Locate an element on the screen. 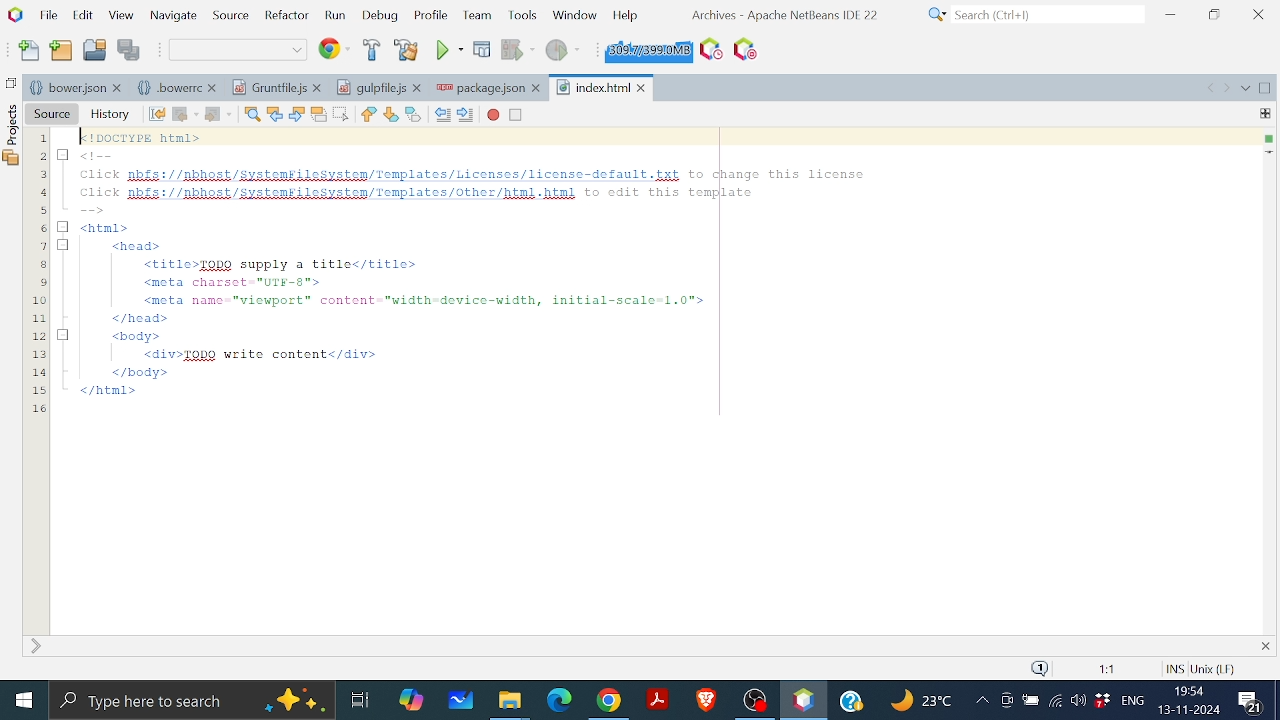 The image size is (1280, 720). Team is located at coordinates (475, 16).